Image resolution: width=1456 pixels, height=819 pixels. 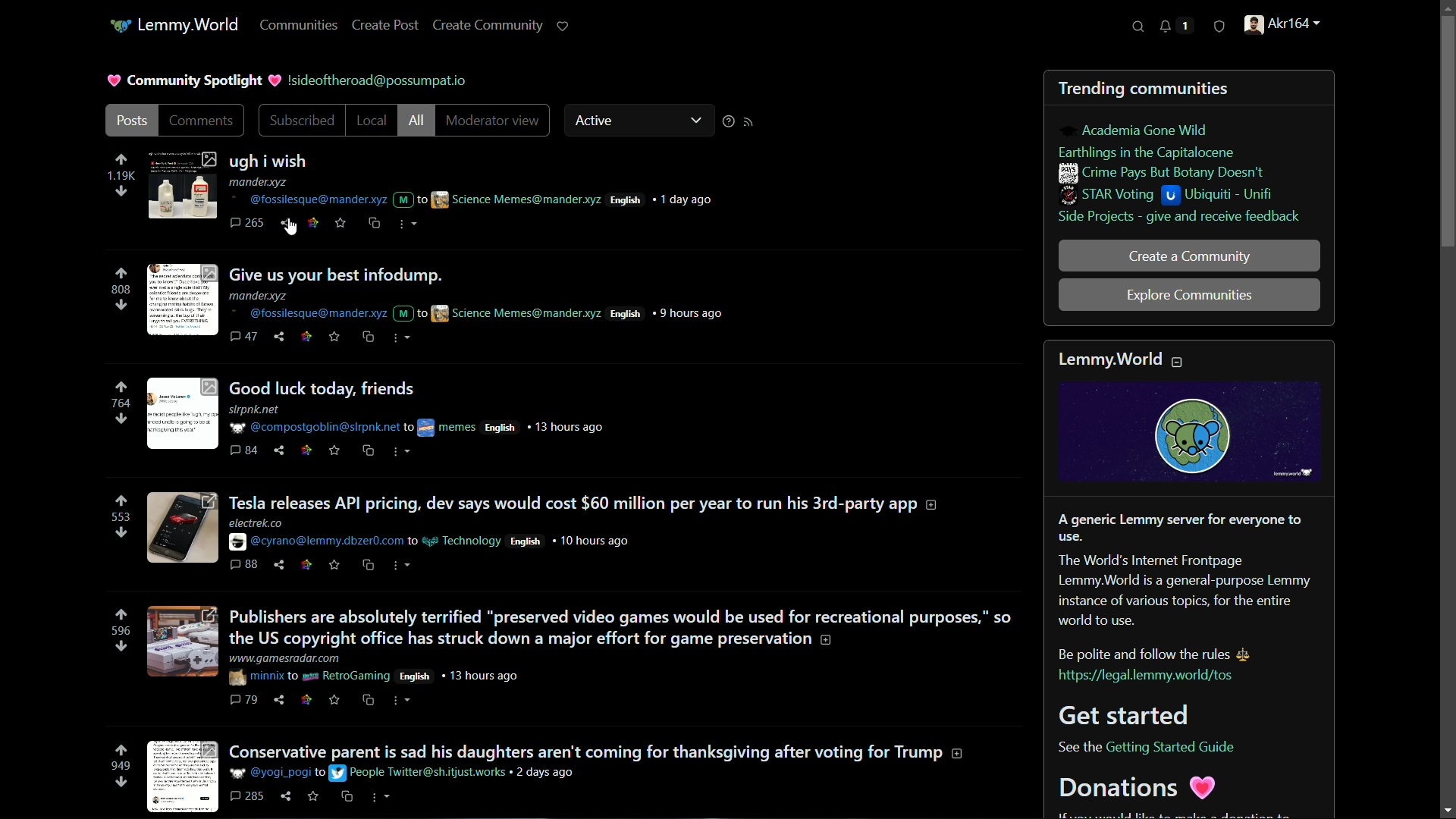 What do you see at coordinates (306, 199) in the screenshot?
I see `@fossilesque@mander.xyz` at bounding box center [306, 199].